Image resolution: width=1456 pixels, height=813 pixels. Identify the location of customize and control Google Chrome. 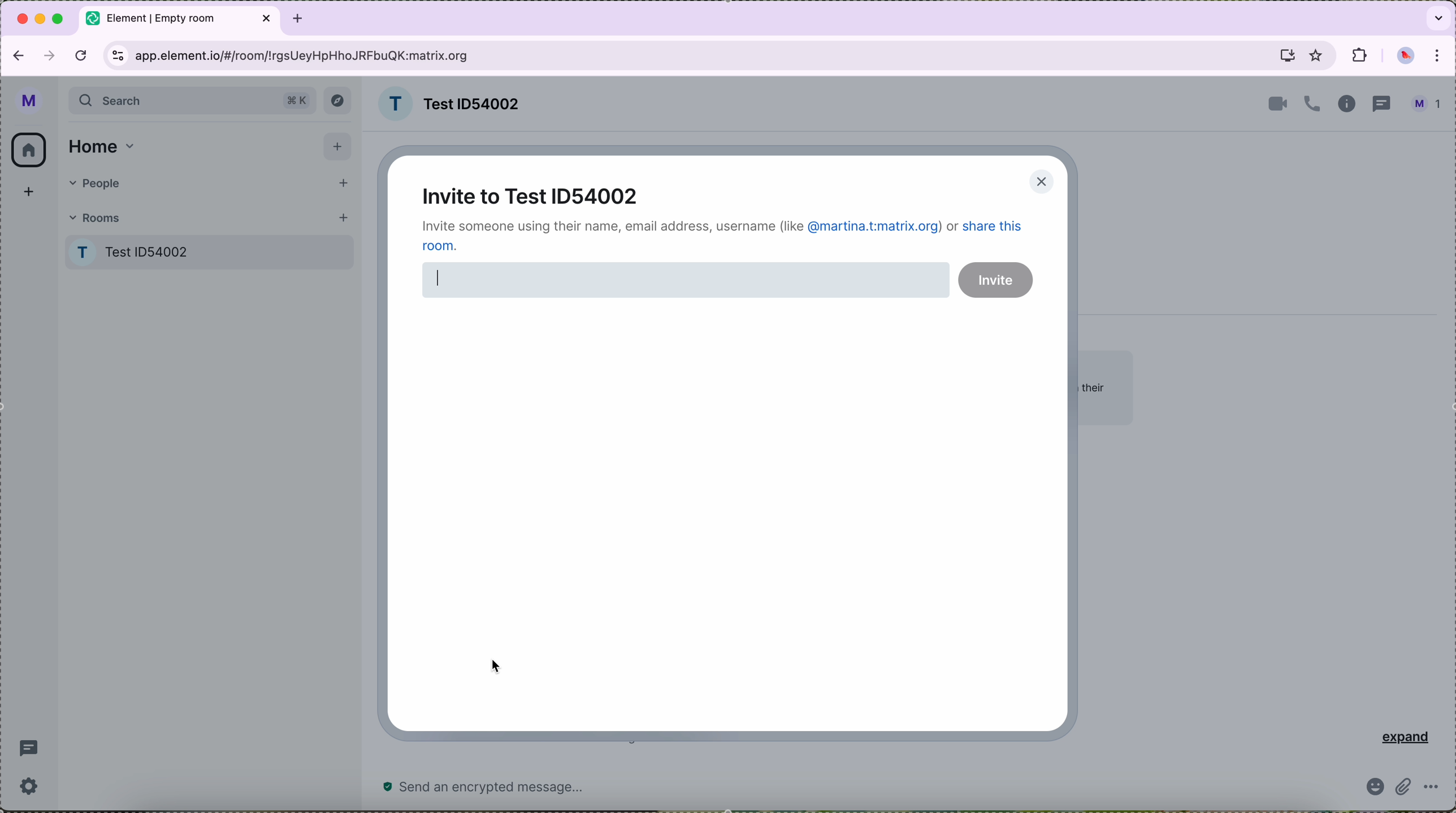
(1440, 56).